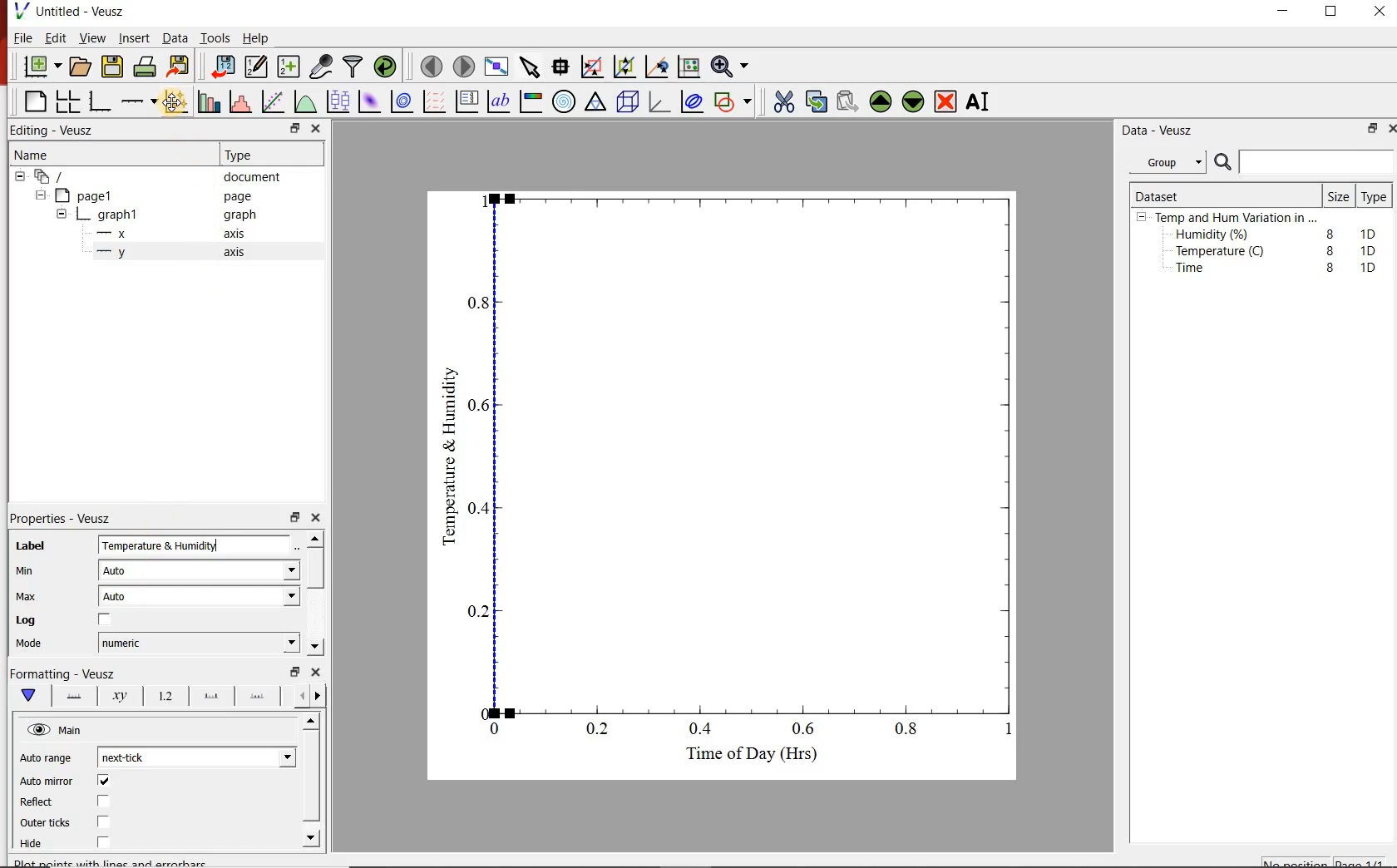  What do you see at coordinates (430, 67) in the screenshot?
I see `move to the previous page` at bounding box center [430, 67].